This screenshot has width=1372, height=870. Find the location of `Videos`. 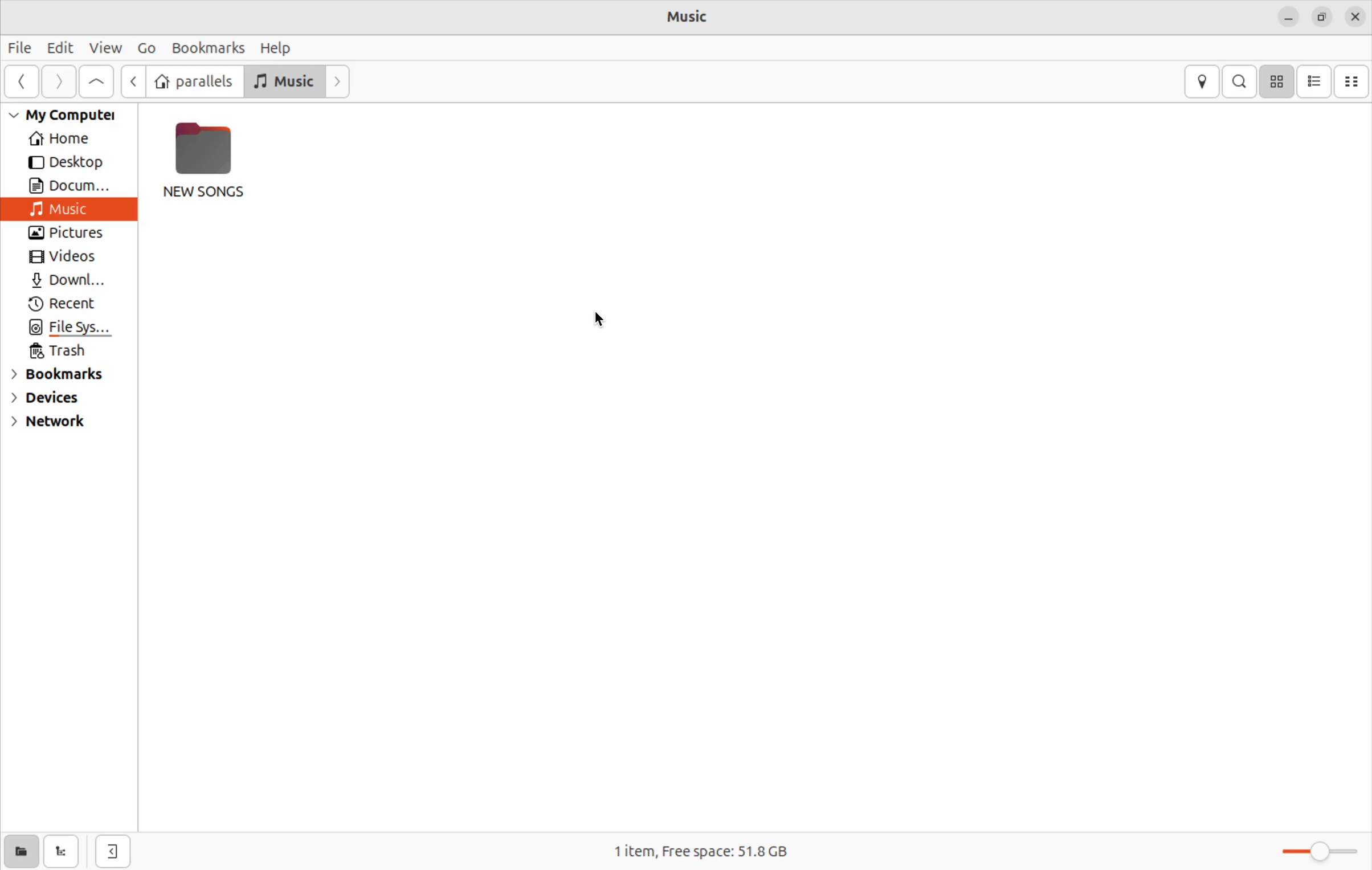

Videos is located at coordinates (64, 258).